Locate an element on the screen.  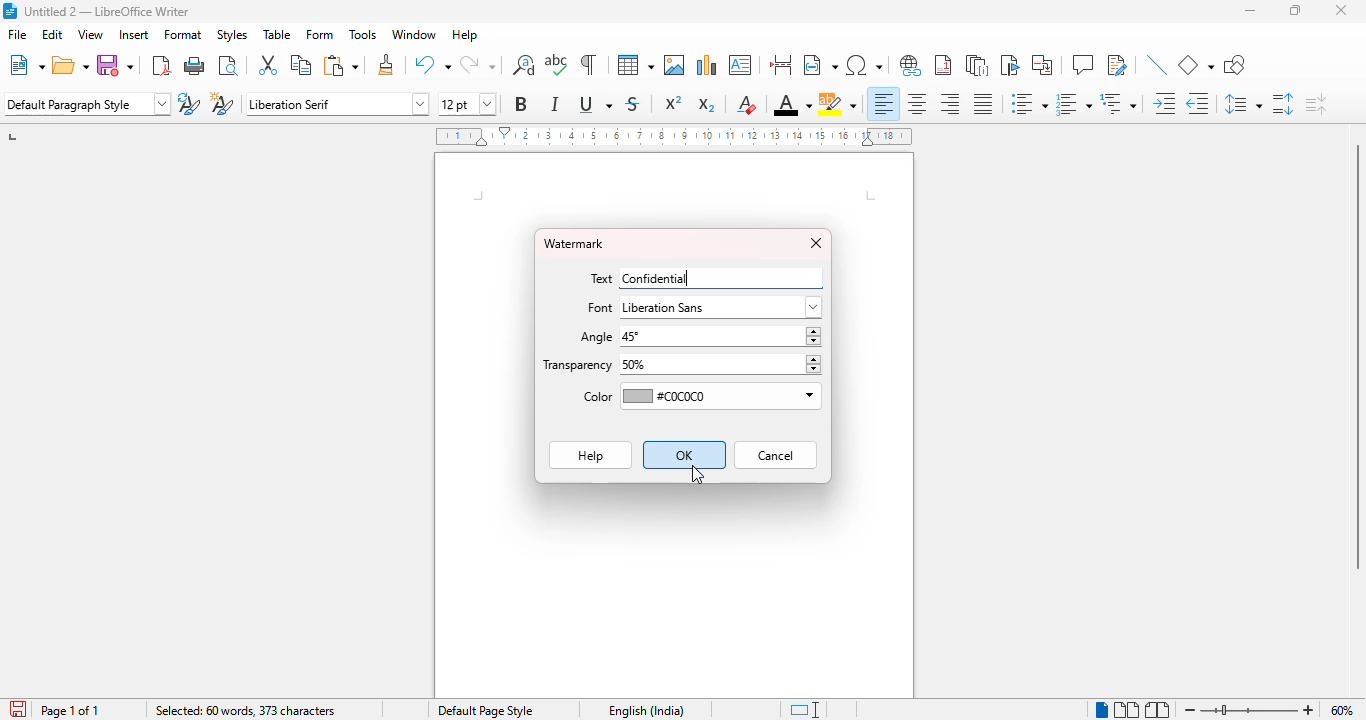
justified is located at coordinates (982, 104).